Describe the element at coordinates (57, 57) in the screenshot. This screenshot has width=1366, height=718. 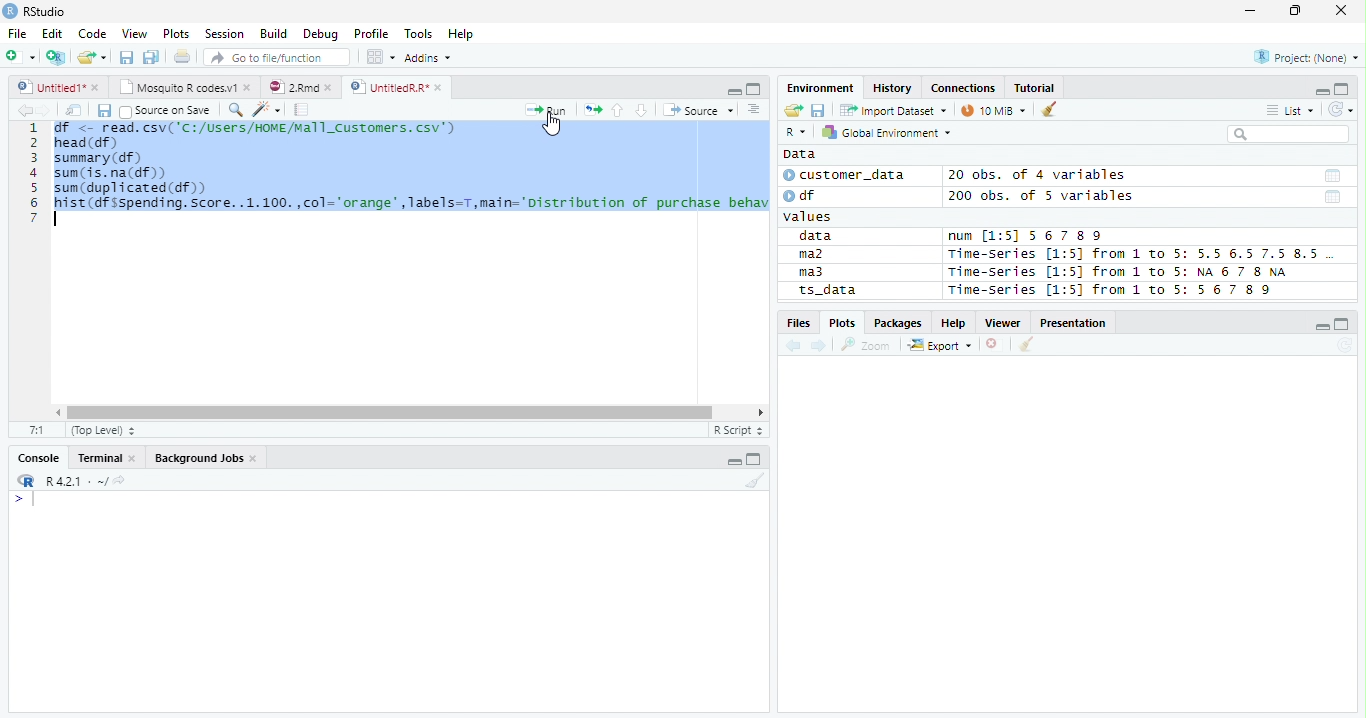
I see `Create Project` at that location.